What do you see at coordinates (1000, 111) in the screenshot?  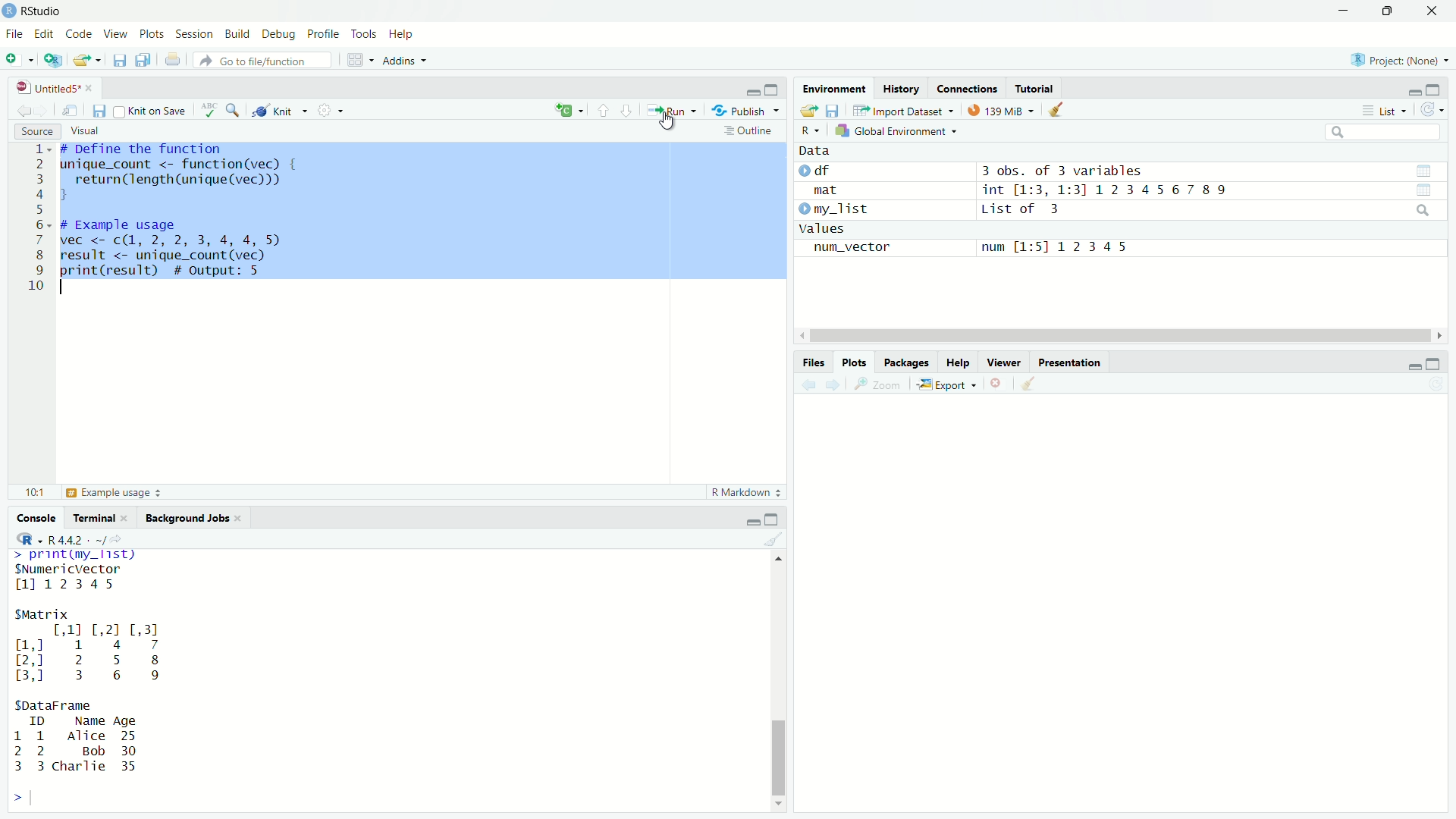 I see `139Mib` at bounding box center [1000, 111].